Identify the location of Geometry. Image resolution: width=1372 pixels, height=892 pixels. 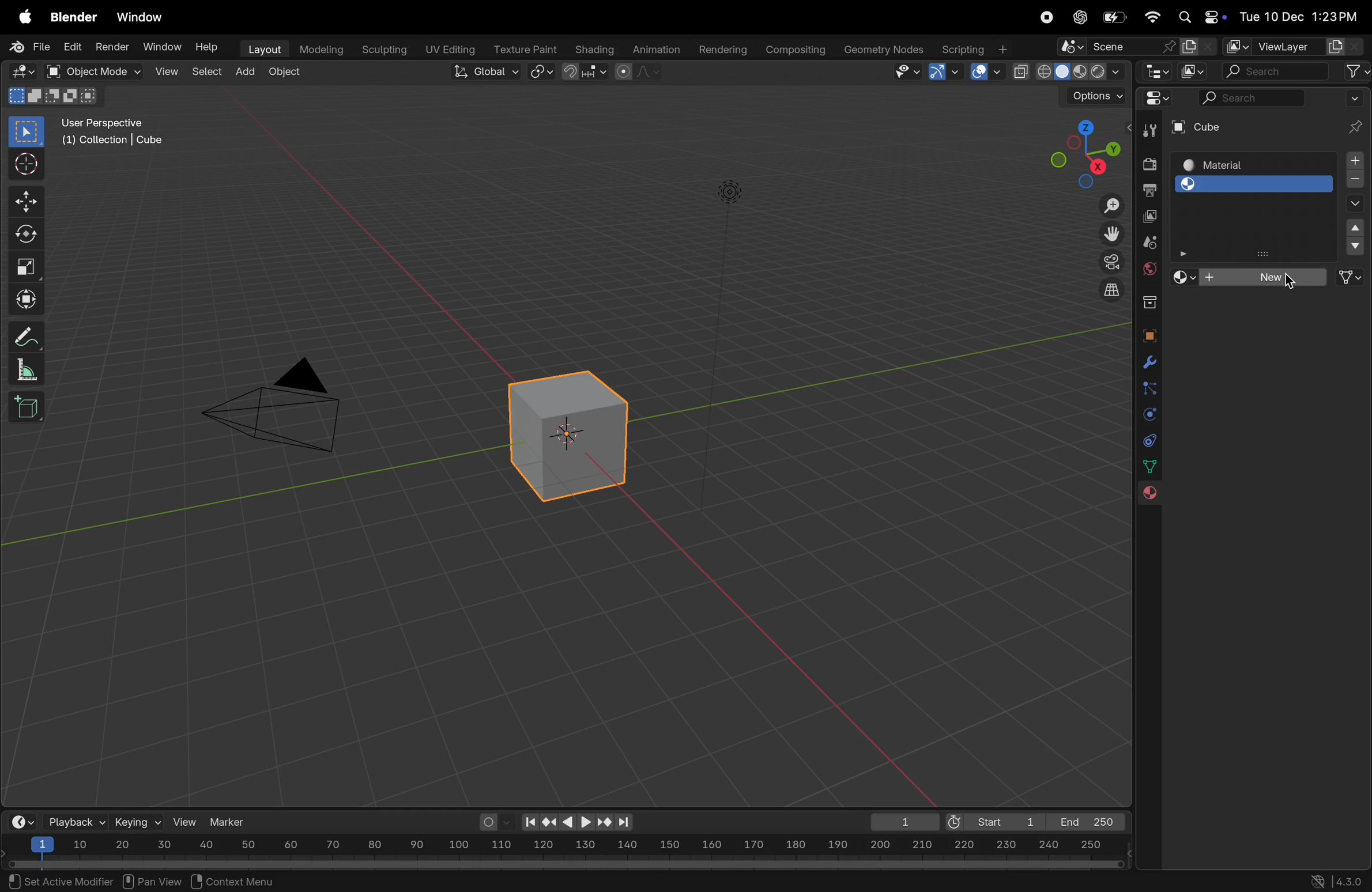
(885, 50).